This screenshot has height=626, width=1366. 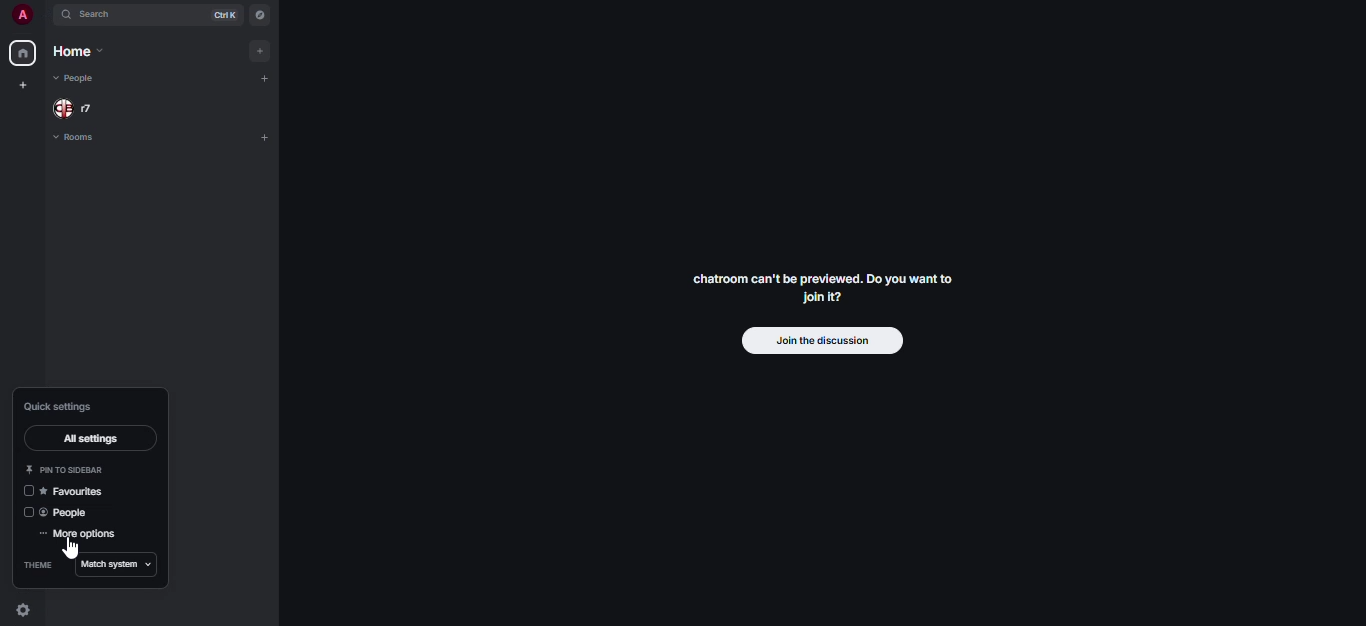 What do you see at coordinates (26, 492) in the screenshot?
I see `click to enable` at bounding box center [26, 492].